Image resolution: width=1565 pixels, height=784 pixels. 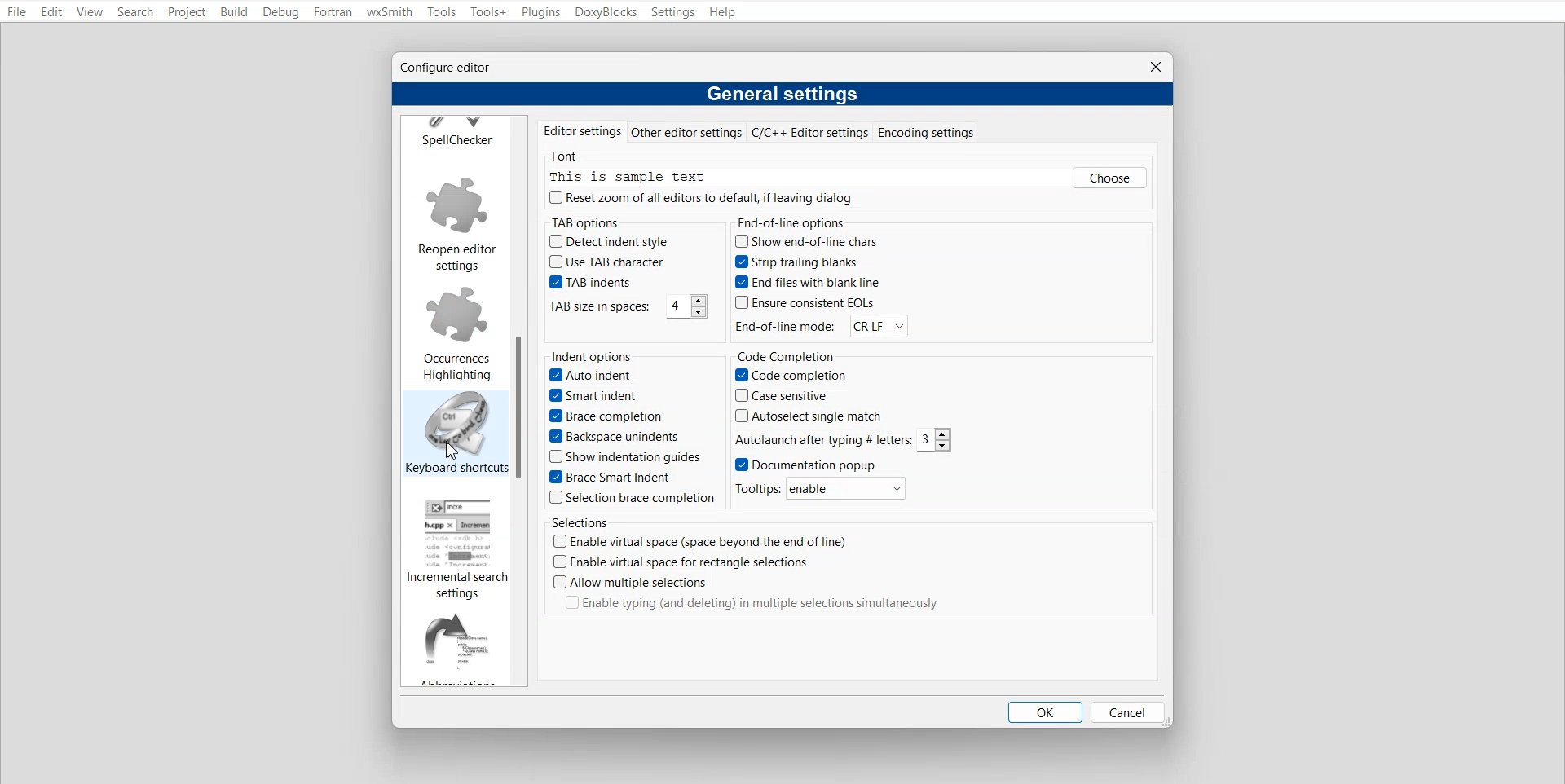 What do you see at coordinates (578, 522) in the screenshot?
I see `Selections` at bounding box center [578, 522].